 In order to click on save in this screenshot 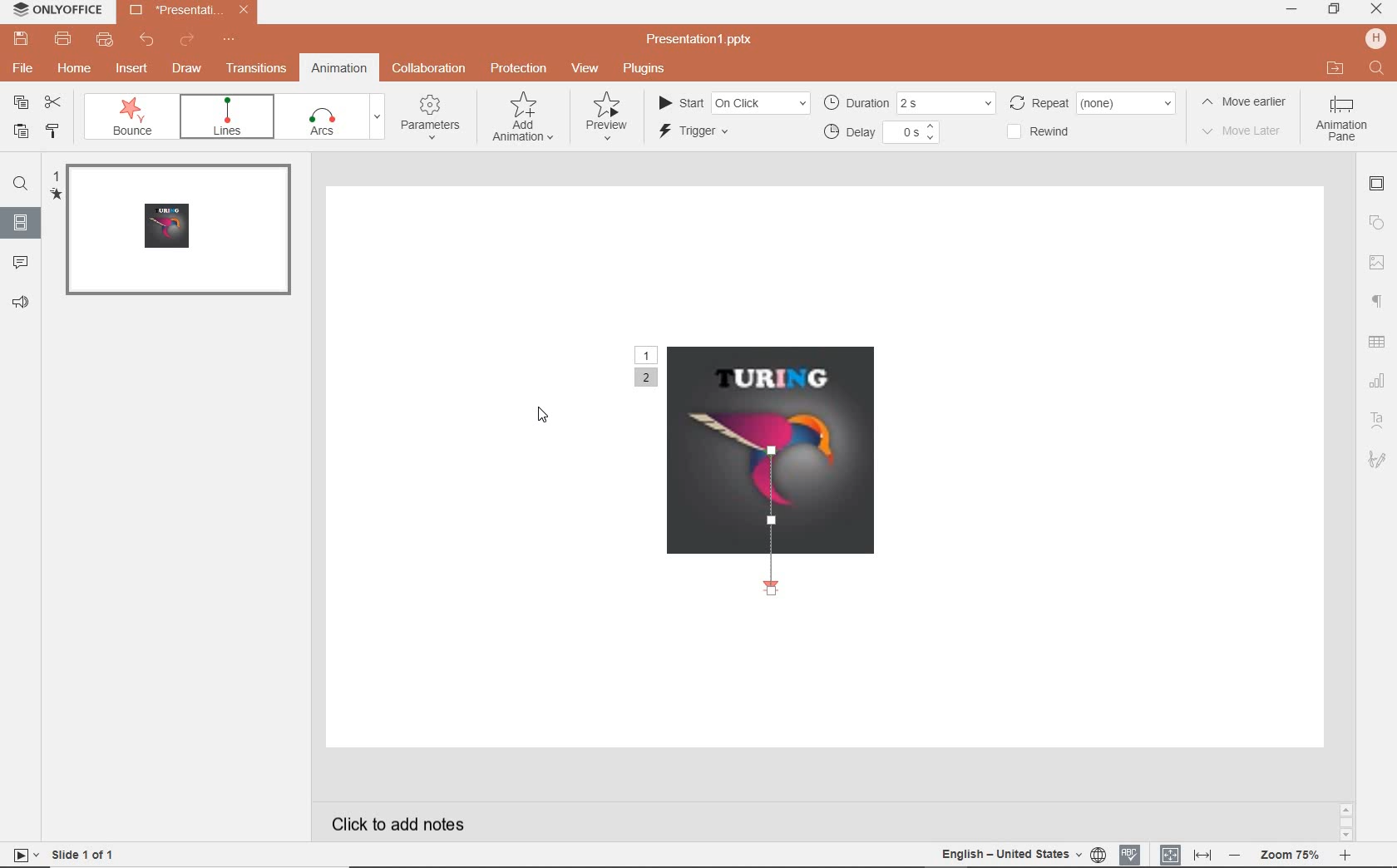, I will do `click(21, 38)`.